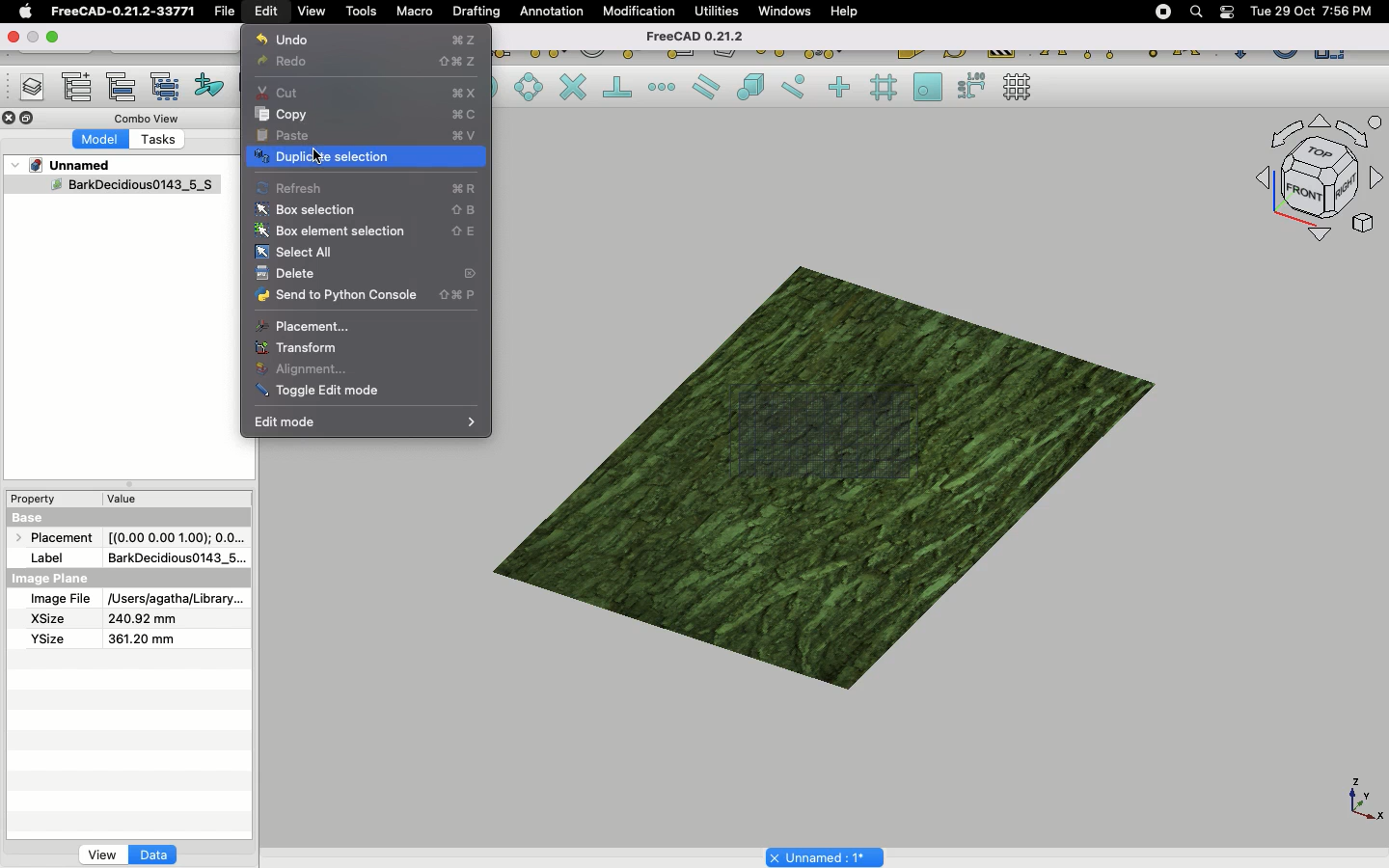  Describe the element at coordinates (57, 38) in the screenshot. I see `open` at that location.